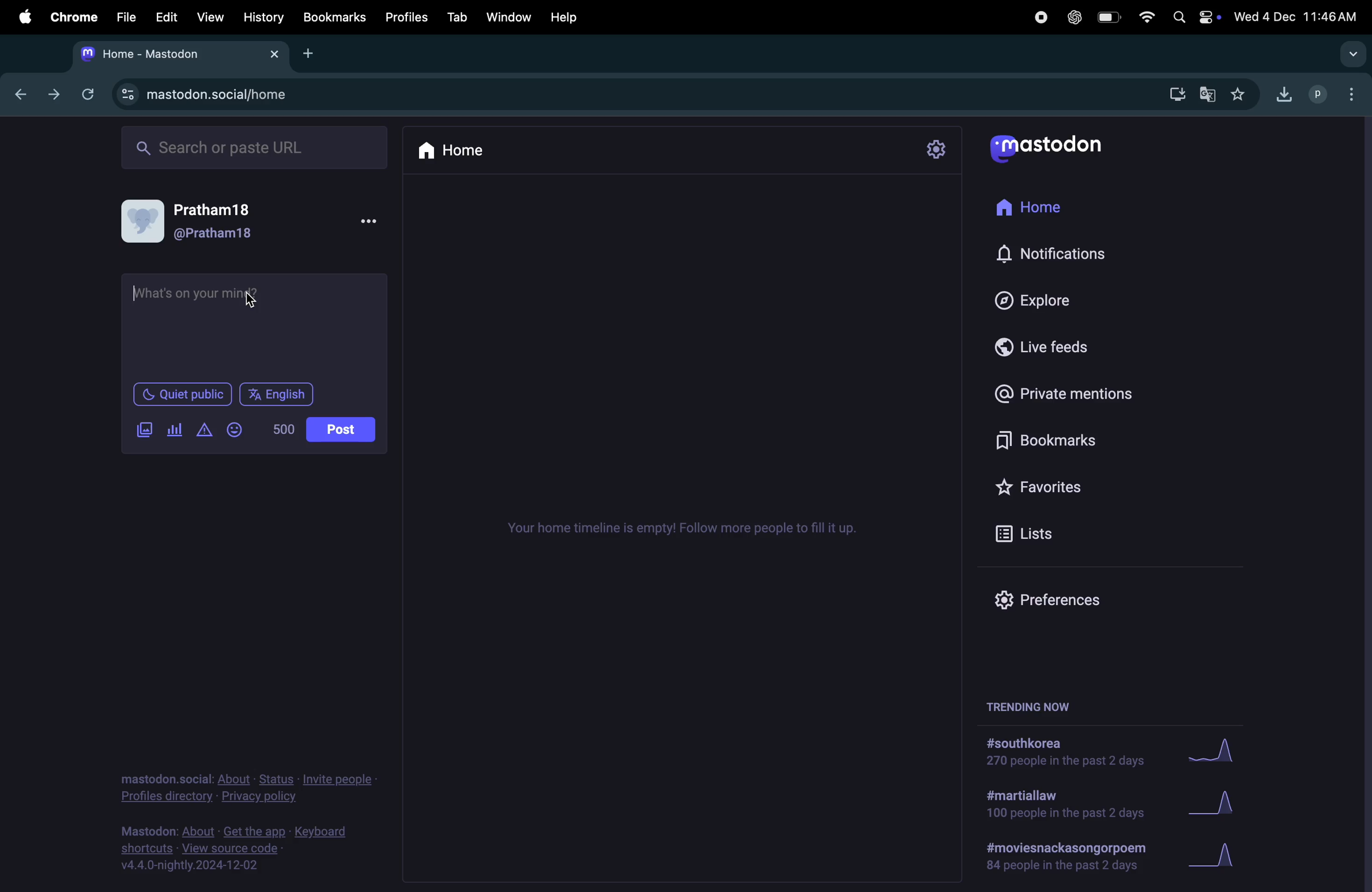 Image resolution: width=1372 pixels, height=892 pixels. Describe the element at coordinates (248, 786) in the screenshot. I see `Privacy and policy` at that location.